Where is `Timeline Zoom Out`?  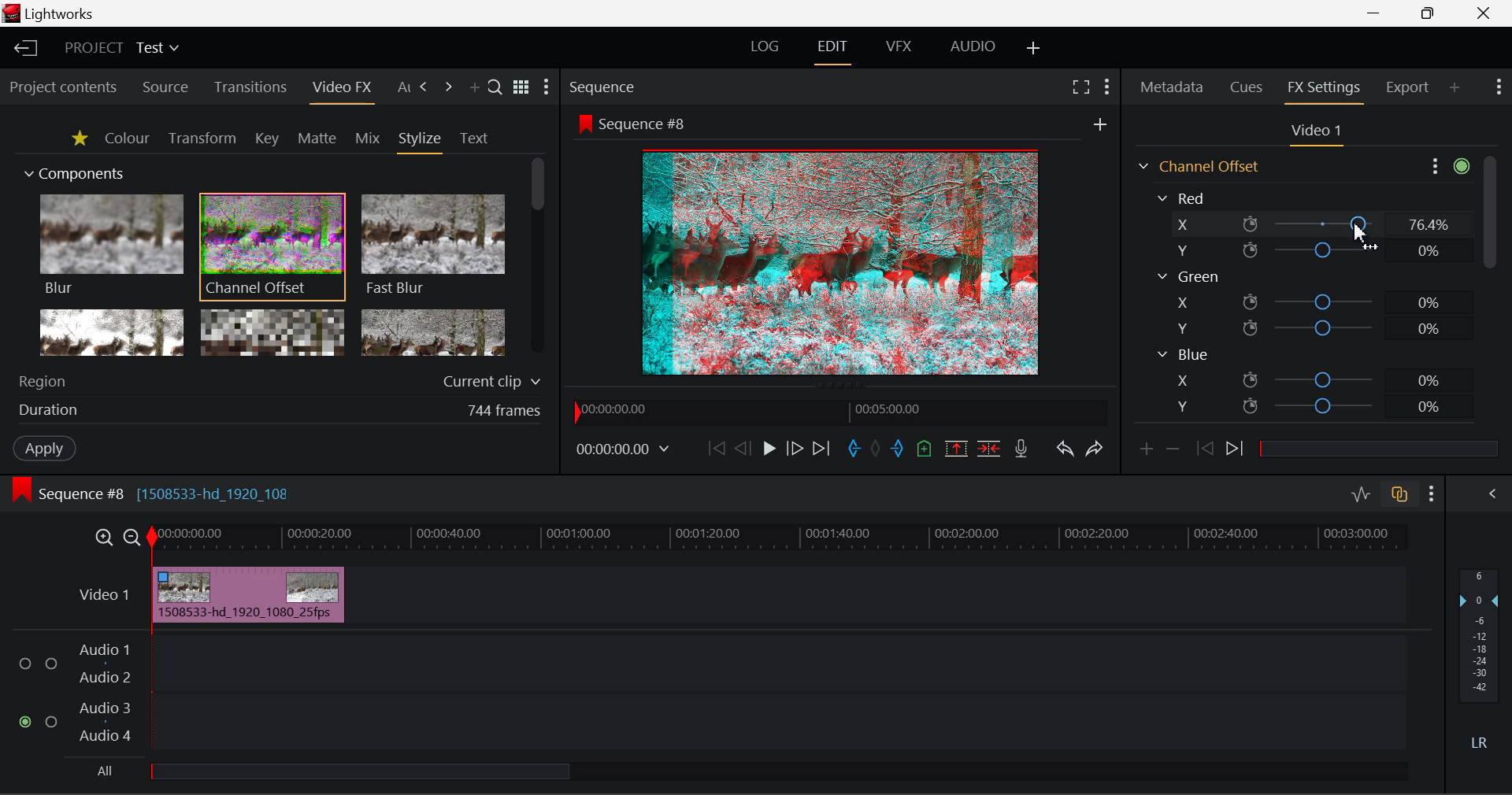
Timeline Zoom Out is located at coordinates (134, 539).